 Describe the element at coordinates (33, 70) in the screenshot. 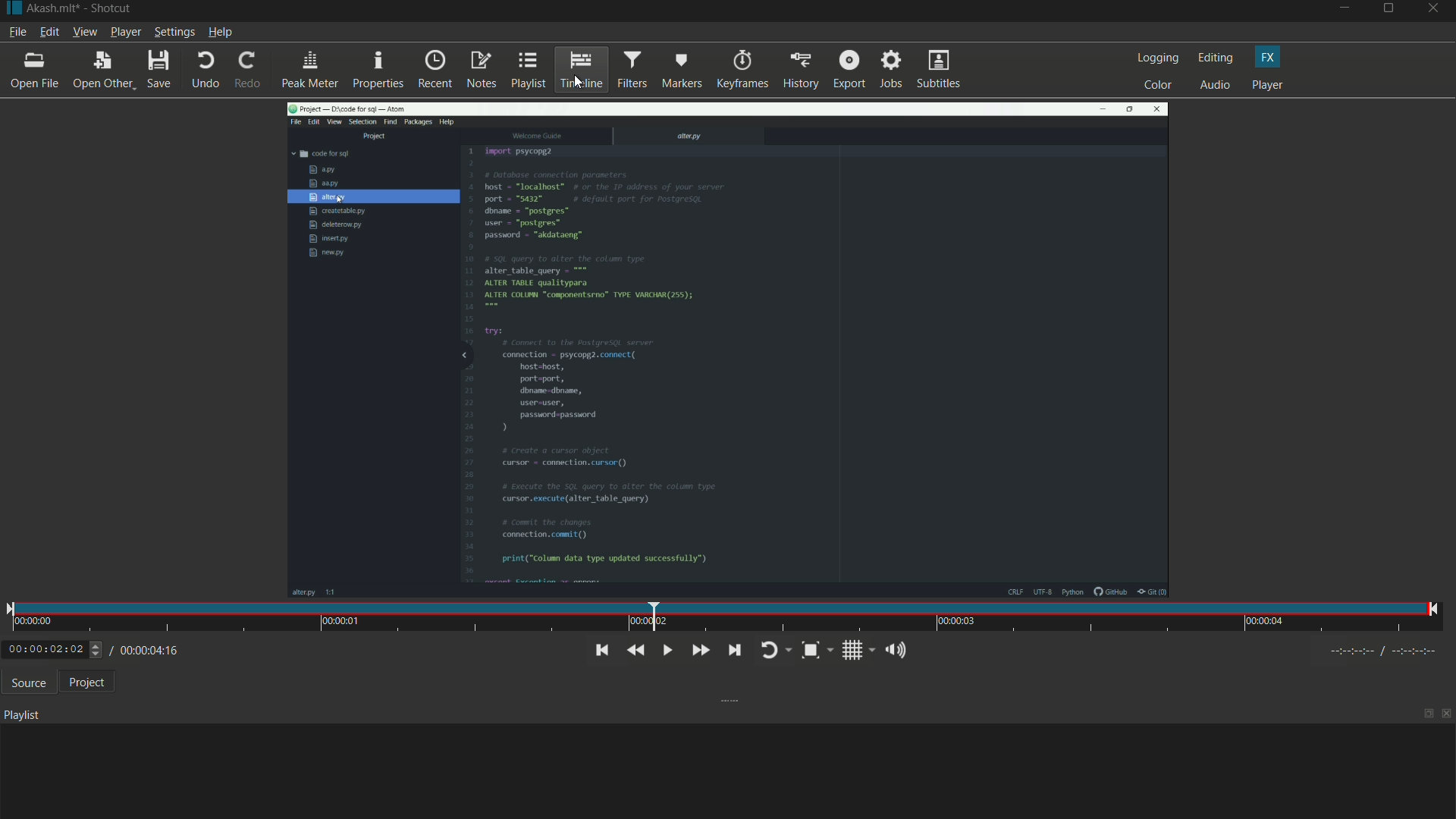

I see `open file` at that location.